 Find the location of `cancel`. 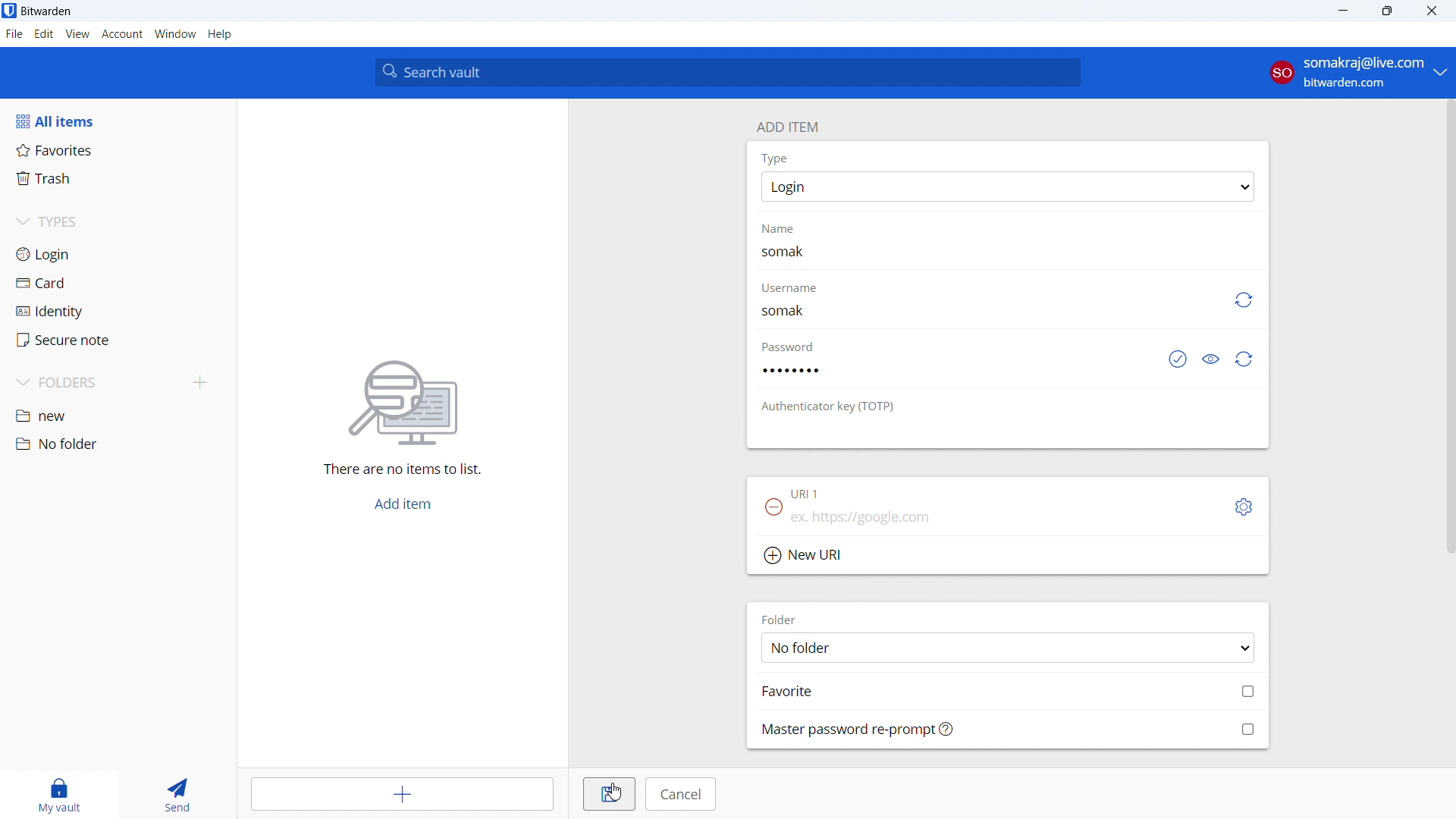

cancel is located at coordinates (680, 794).